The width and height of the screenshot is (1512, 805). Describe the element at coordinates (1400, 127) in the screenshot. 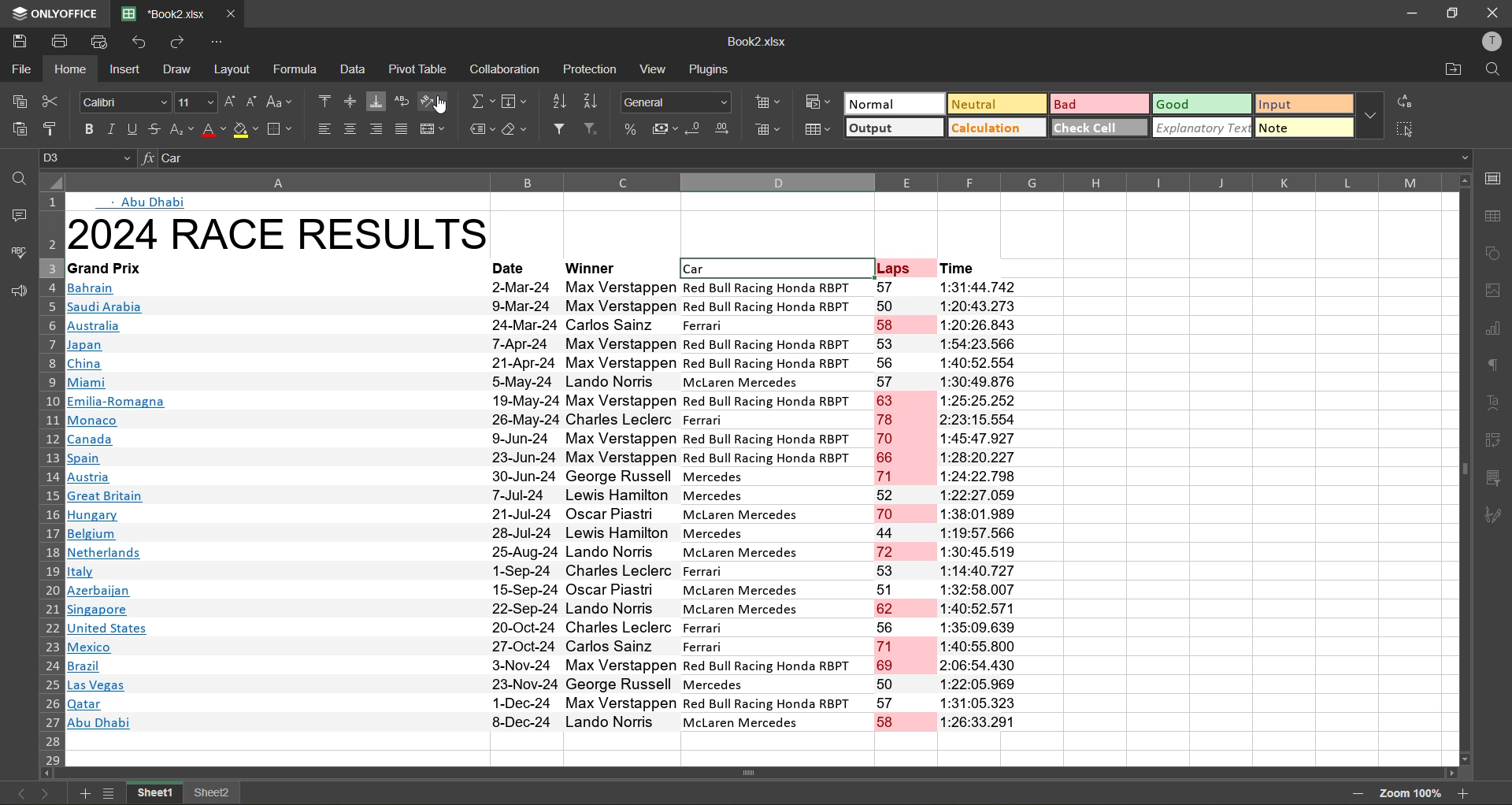

I see `select all` at that location.